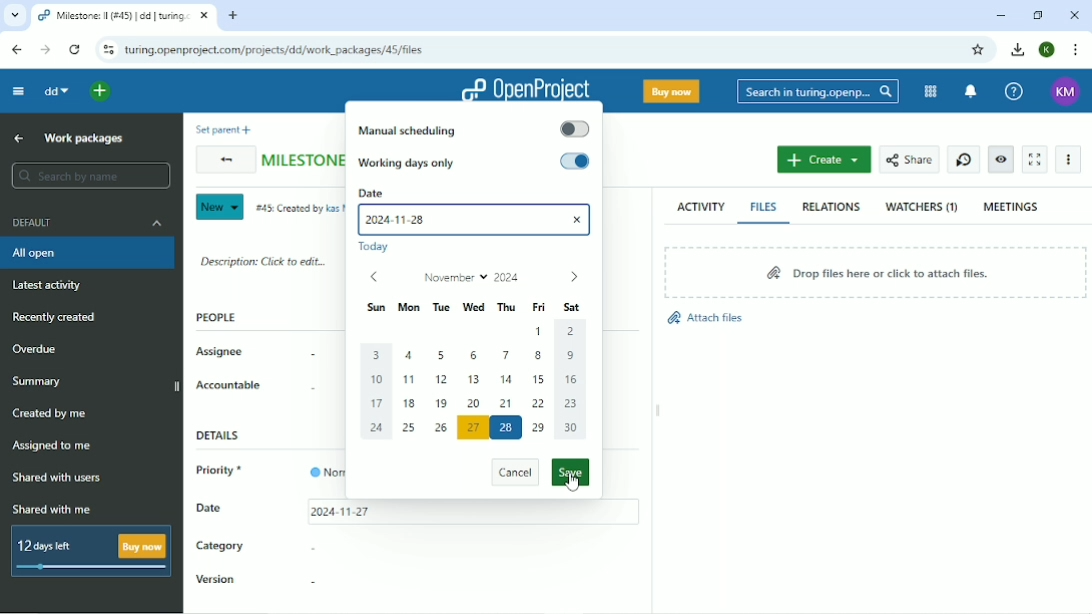  I want to click on Collapse project menu, so click(17, 92).